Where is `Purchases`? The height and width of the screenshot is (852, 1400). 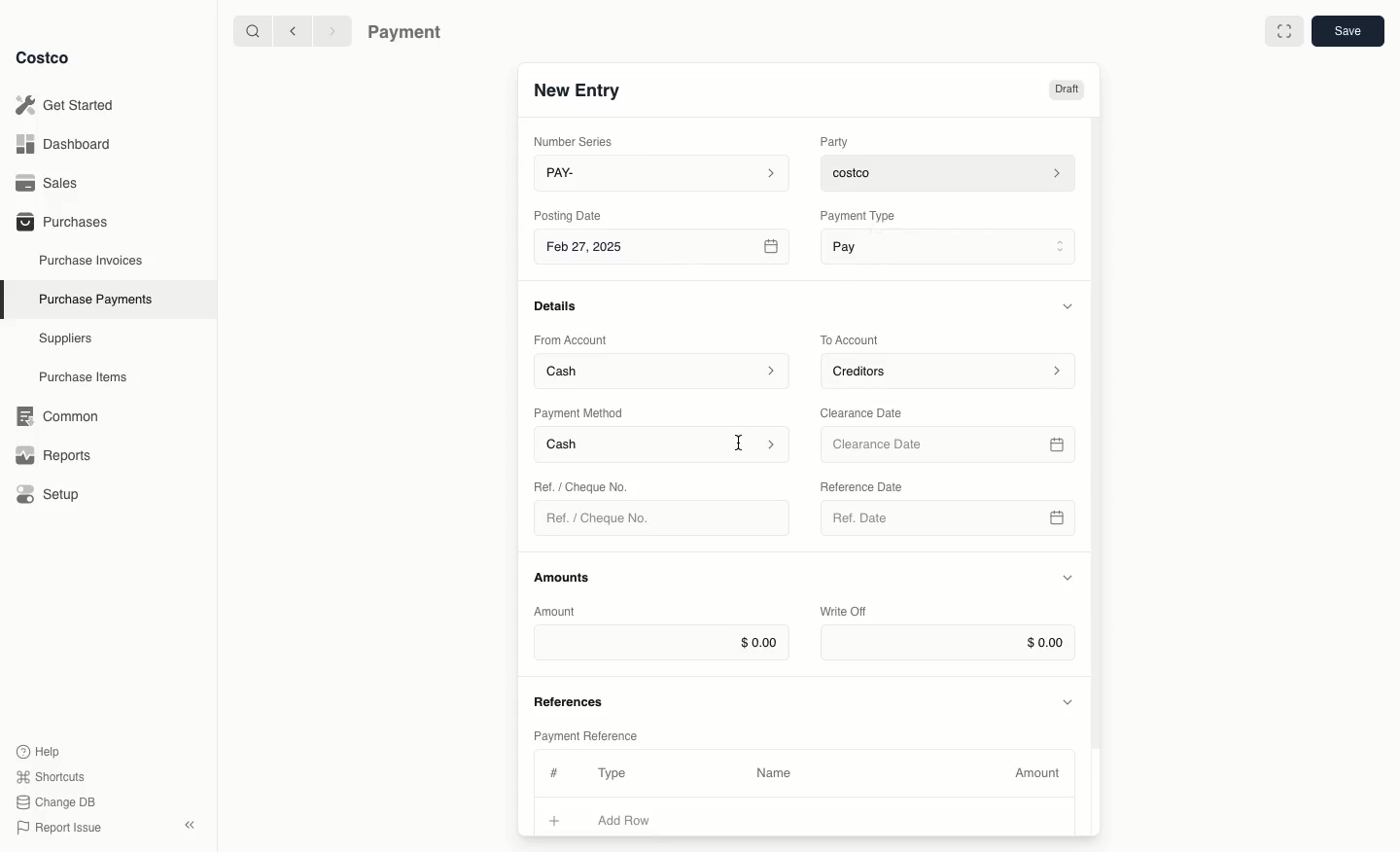 Purchases is located at coordinates (61, 221).